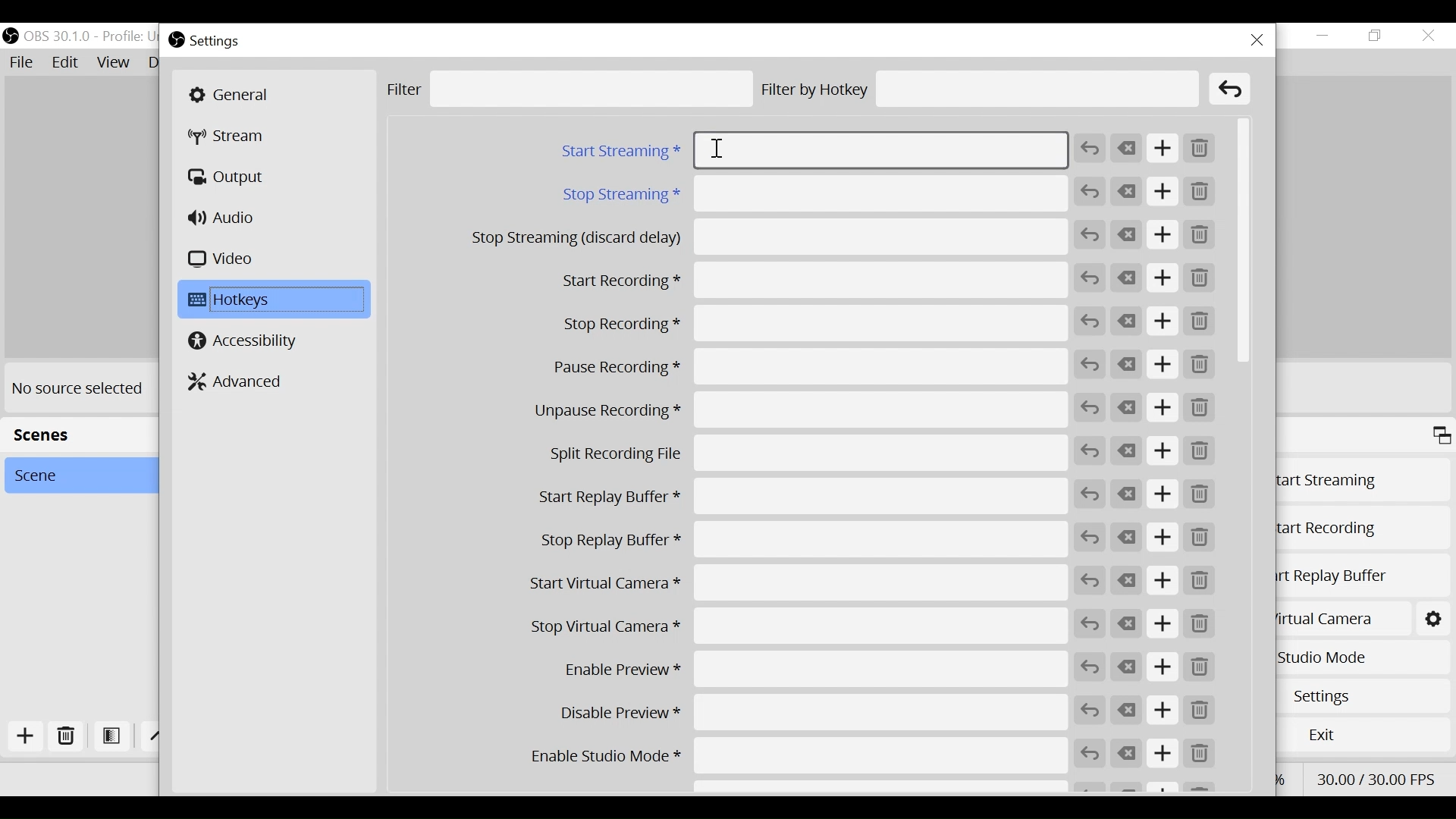 The image size is (1456, 819). I want to click on Clear, so click(1128, 366).